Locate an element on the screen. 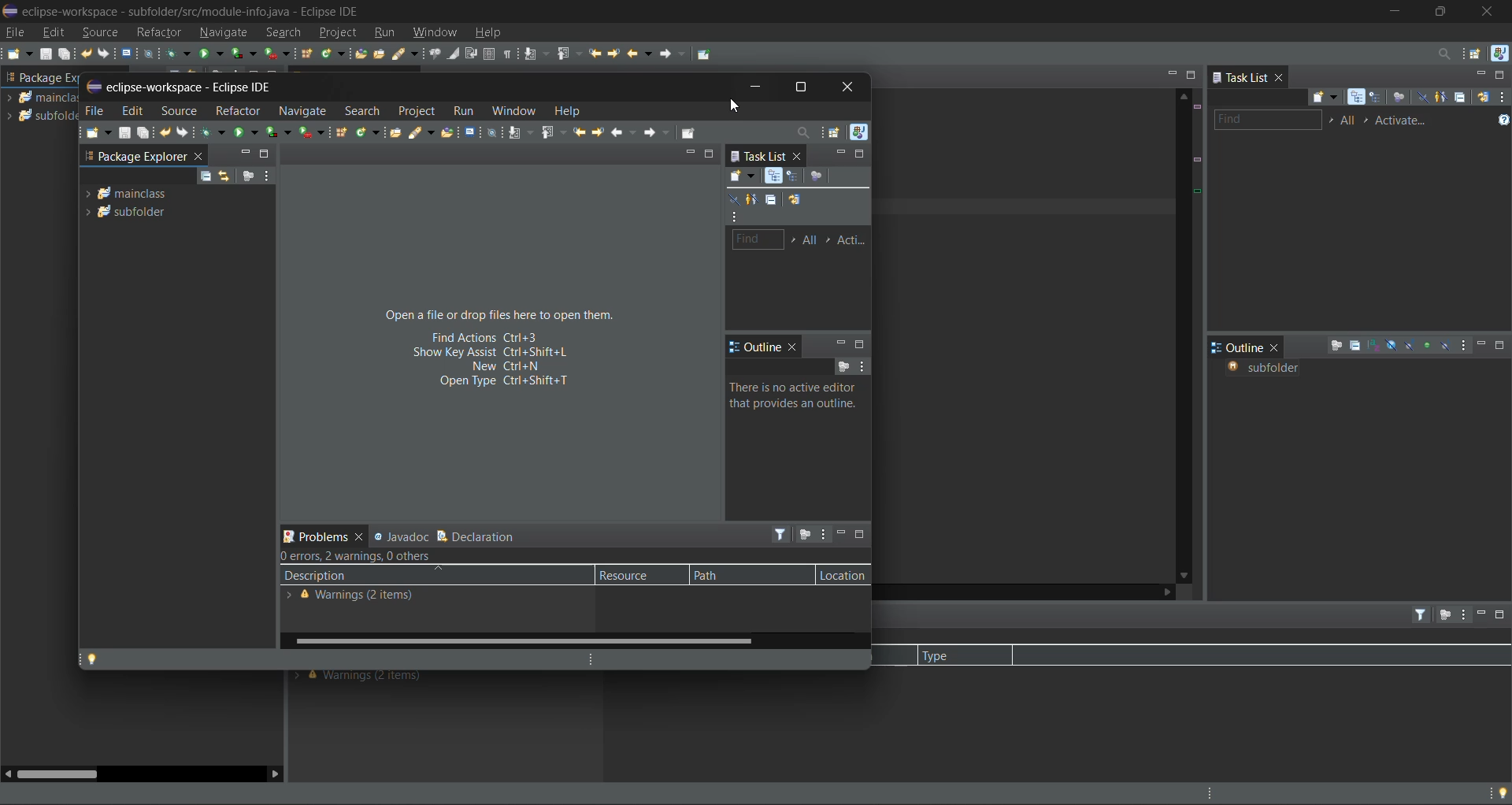 Image resolution: width=1512 pixels, height=805 pixels. filters is located at coordinates (778, 534).